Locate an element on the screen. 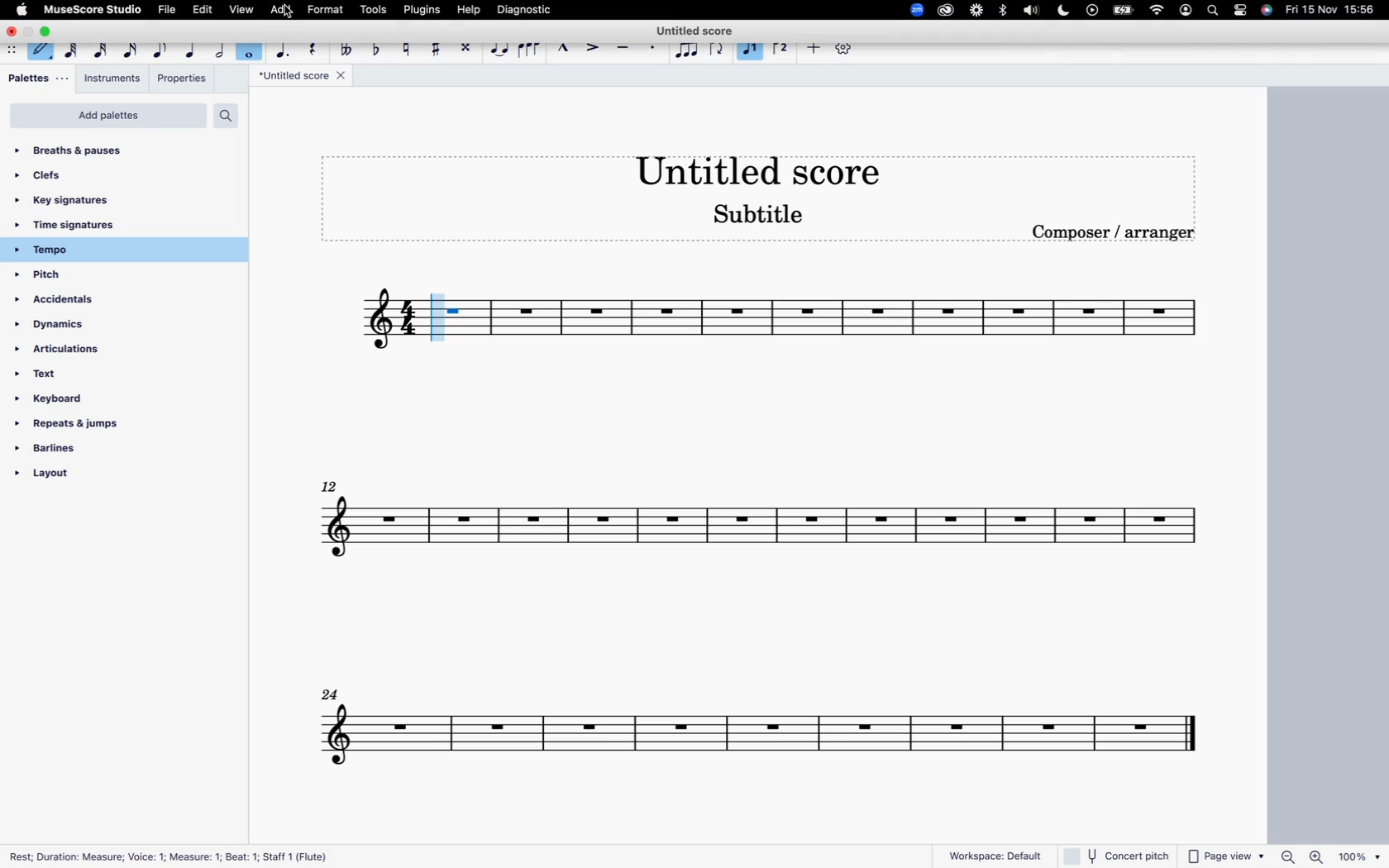 Image resolution: width=1389 pixels, height=868 pixels. staccato is located at coordinates (655, 50).